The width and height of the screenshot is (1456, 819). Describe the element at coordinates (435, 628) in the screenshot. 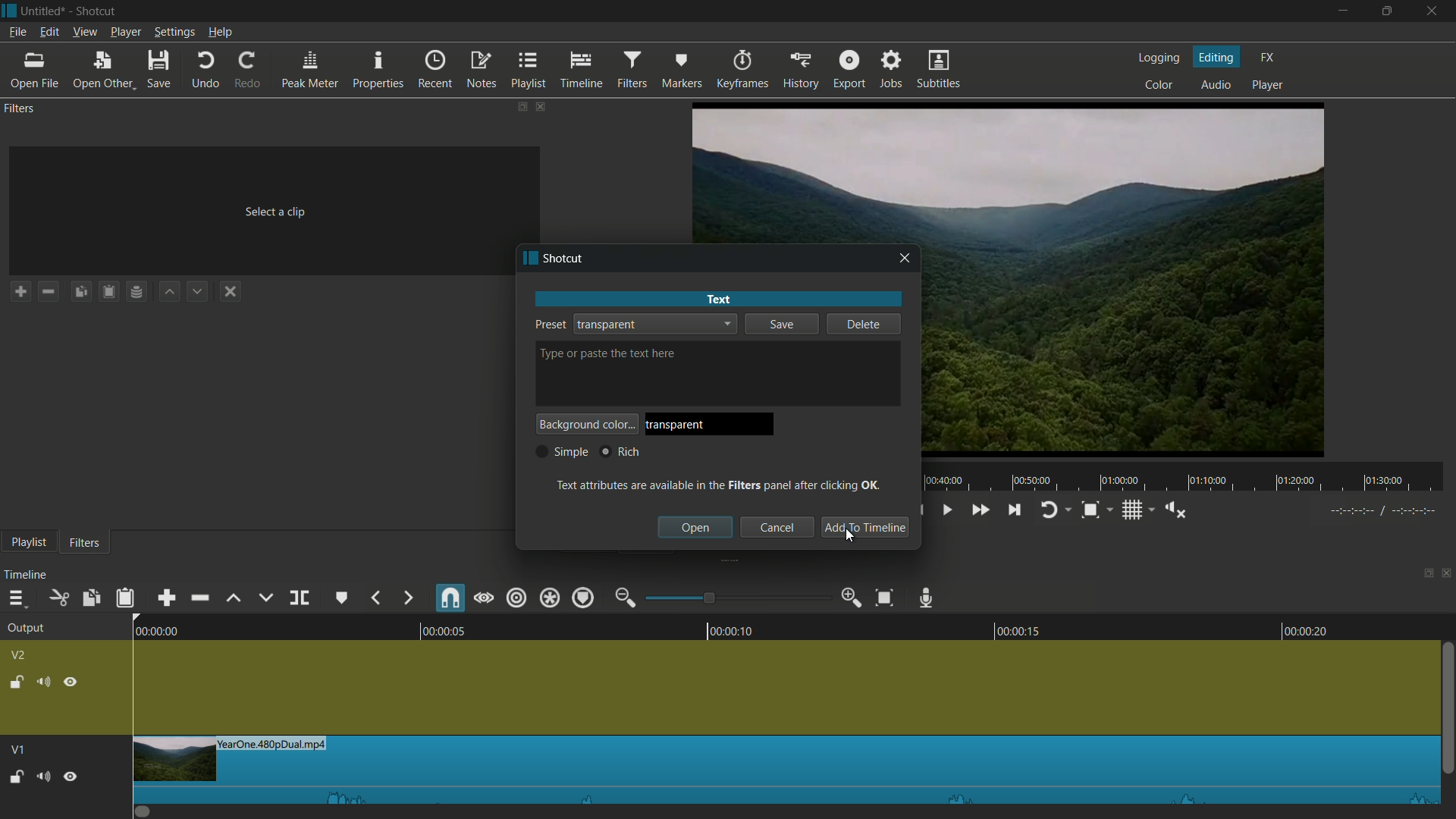

I see `00:00:05` at that location.